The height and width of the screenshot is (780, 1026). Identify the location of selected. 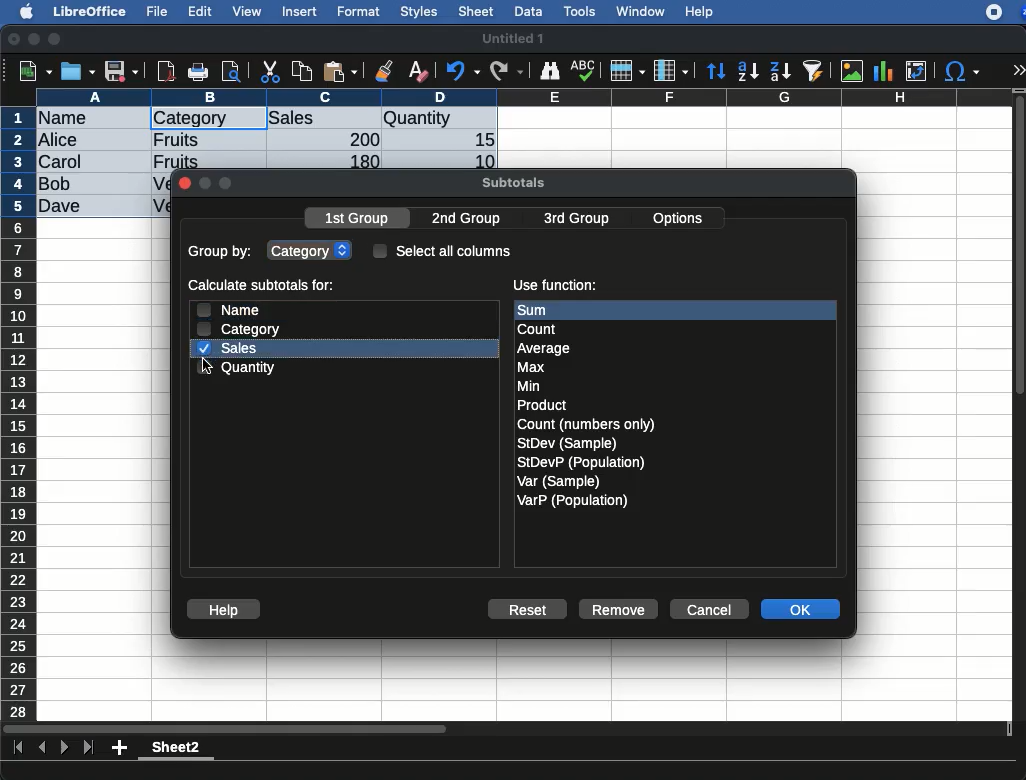
(246, 118).